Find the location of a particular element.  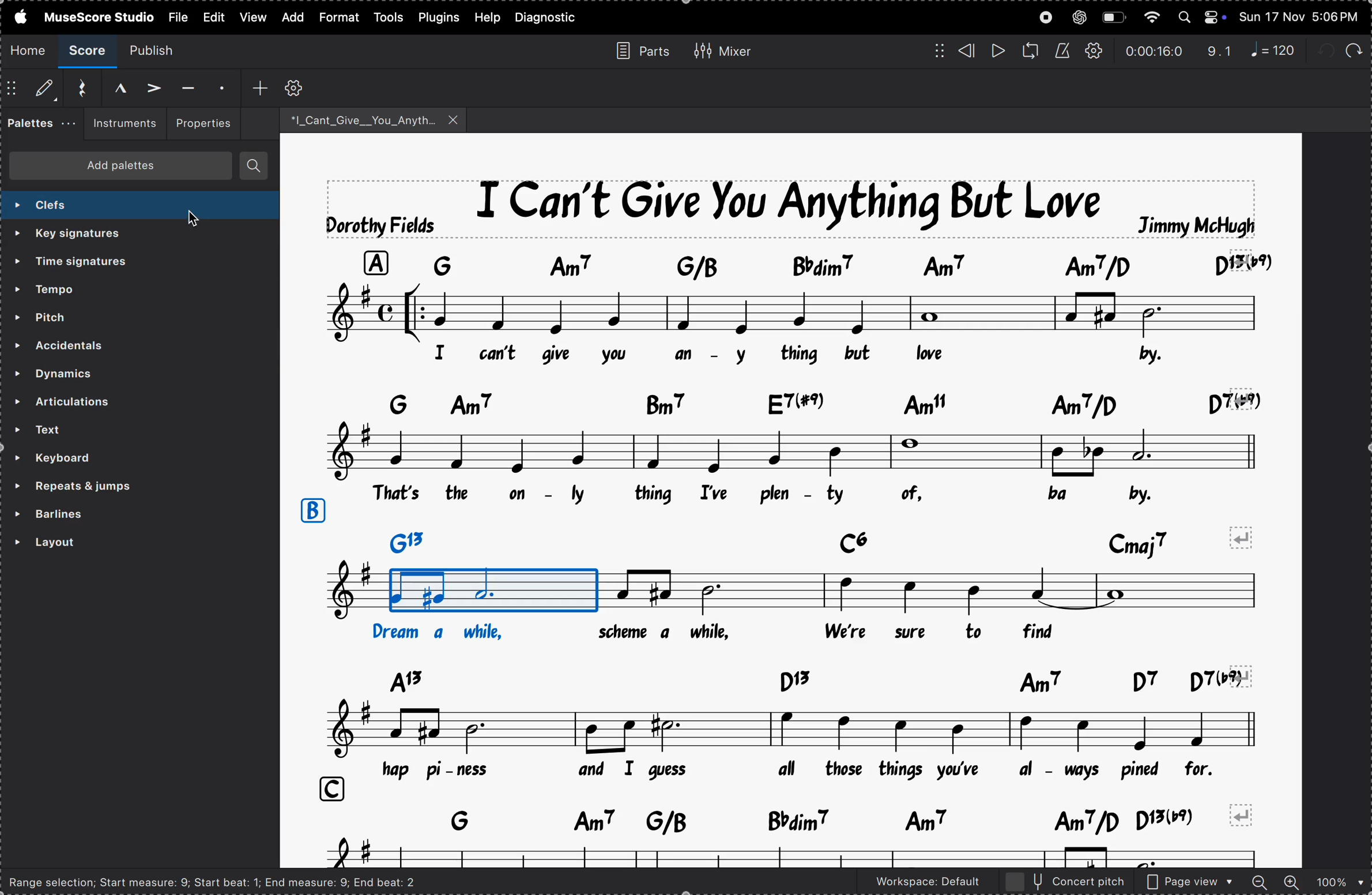

articulations is located at coordinates (121, 404).